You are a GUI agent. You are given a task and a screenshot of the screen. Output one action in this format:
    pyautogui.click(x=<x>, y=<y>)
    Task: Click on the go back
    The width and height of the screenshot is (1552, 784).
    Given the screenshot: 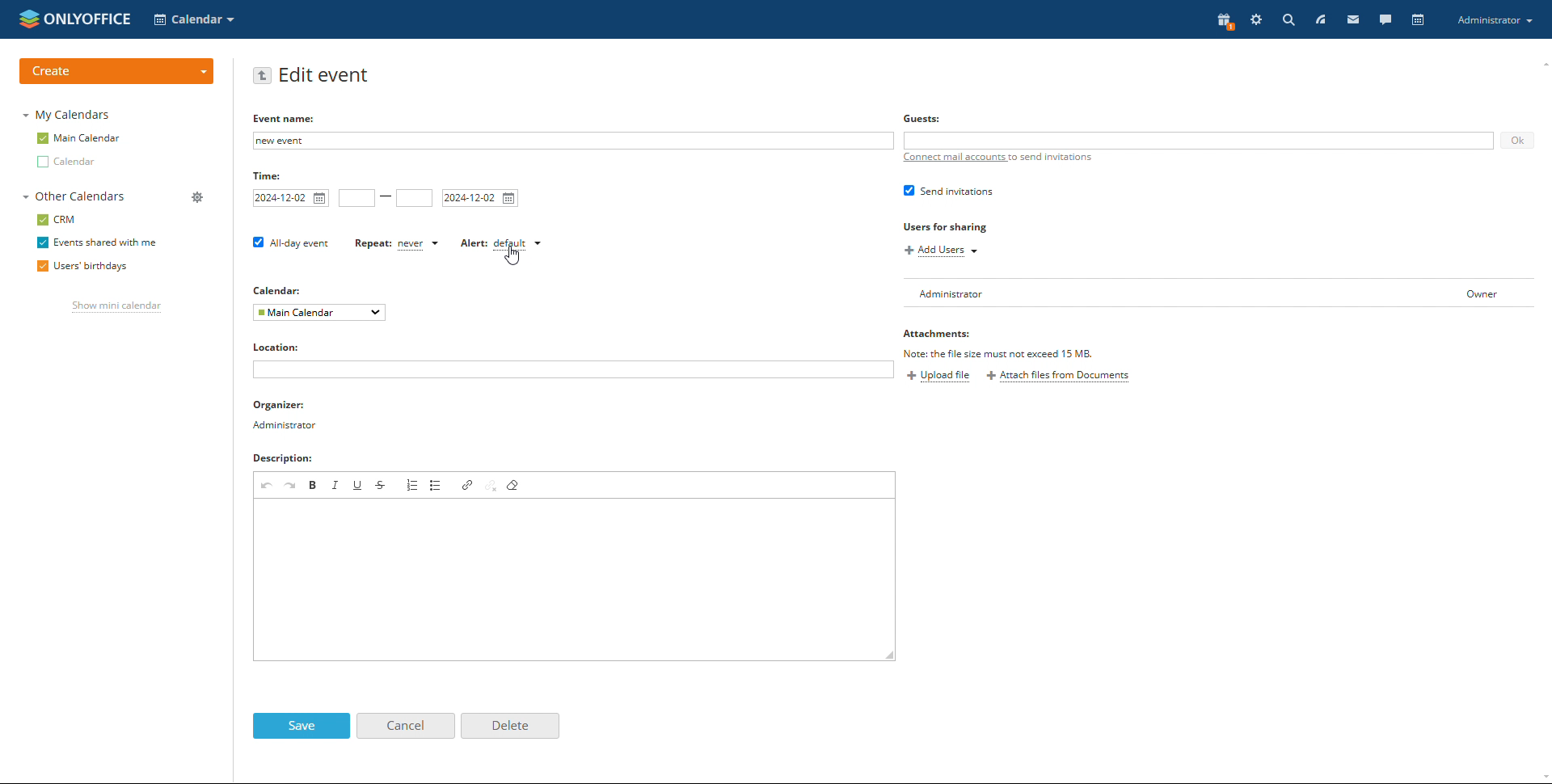 What is the action you would take?
    pyautogui.click(x=262, y=75)
    